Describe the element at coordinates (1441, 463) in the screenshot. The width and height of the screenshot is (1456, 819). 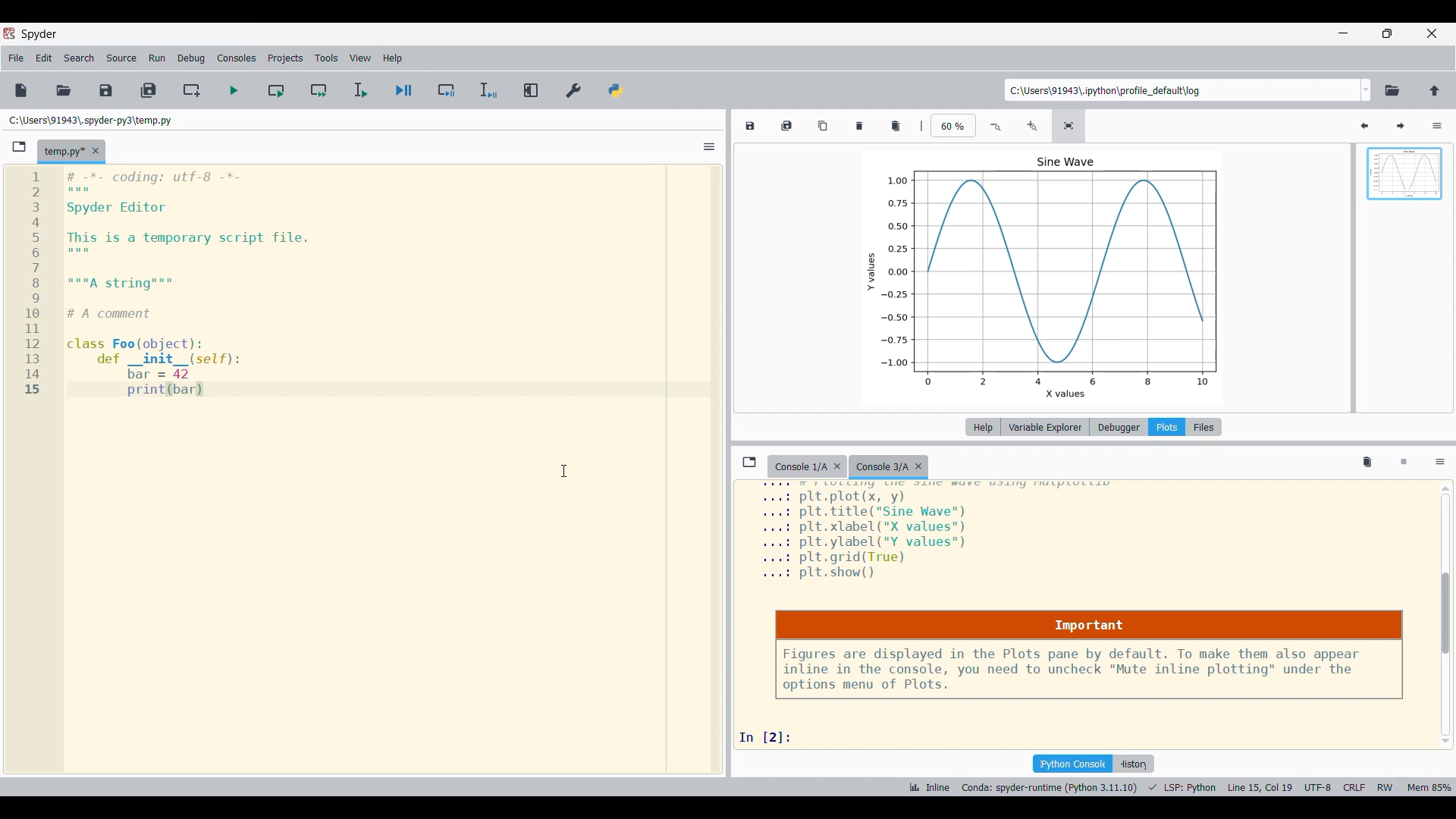
I see `Options` at that location.